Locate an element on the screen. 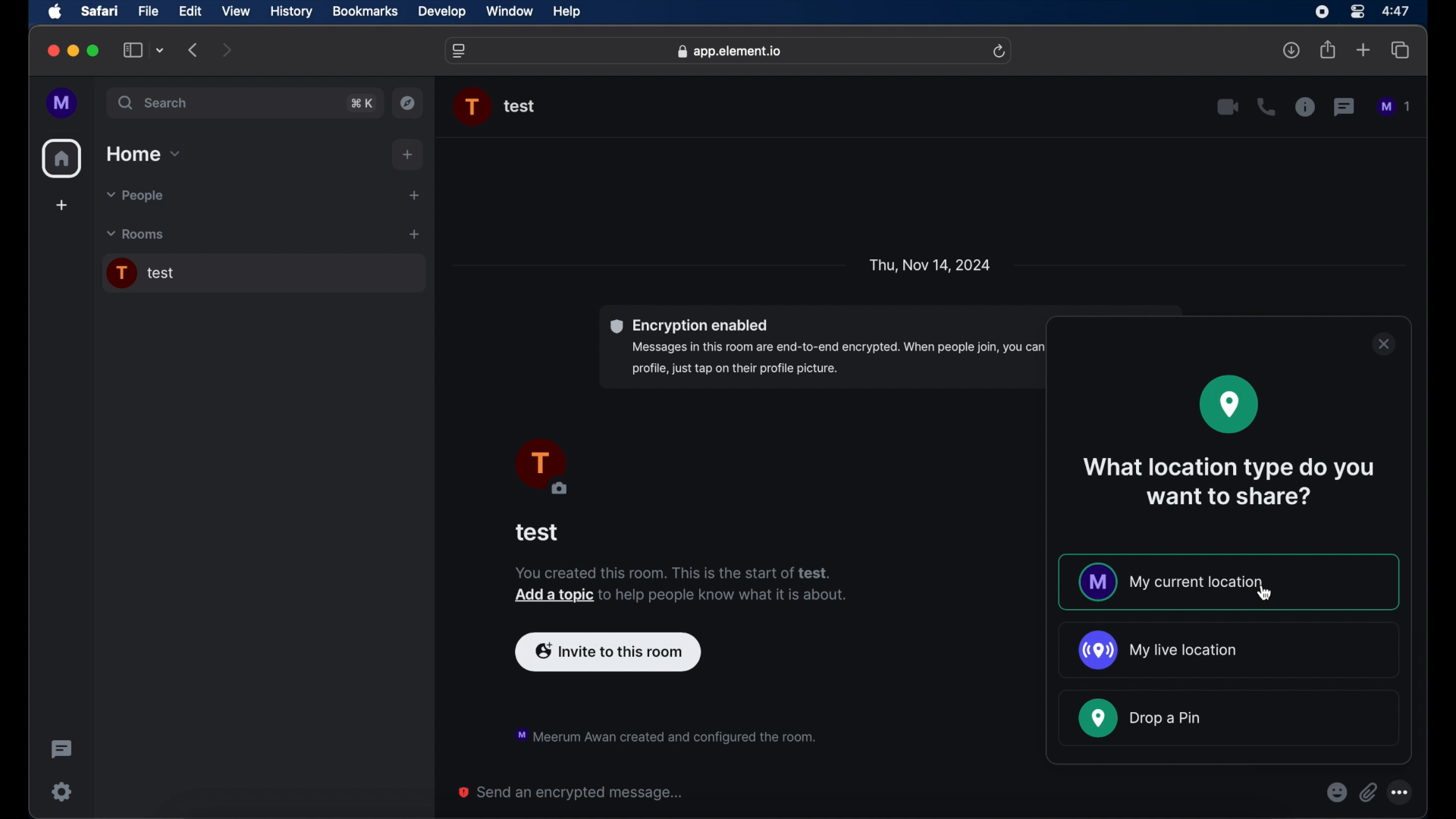 The height and width of the screenshot is (819, 1456). my current location highlighted is located at coordinates (1229, 582).